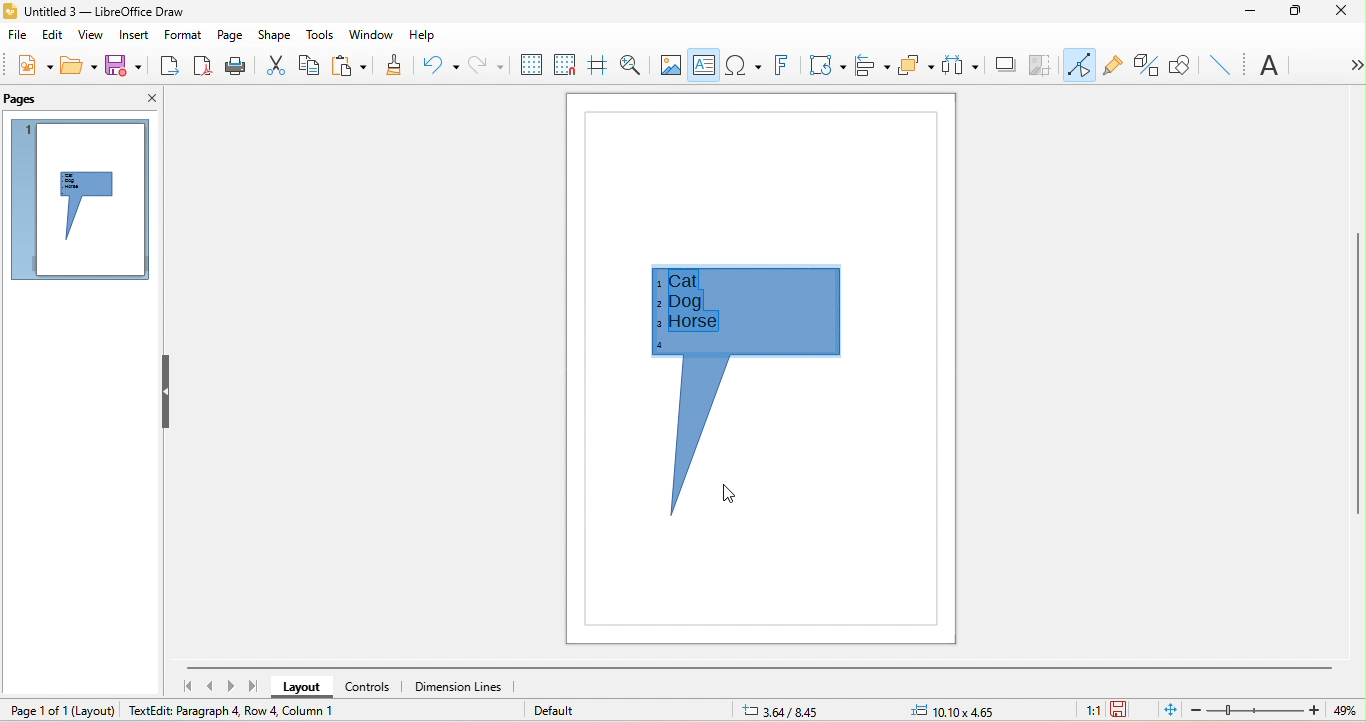 The width and height of the screenshot is (1366, 722). Describe the element at coordinates (527, 64) in the screenshot. I see `display to grids` at that location.